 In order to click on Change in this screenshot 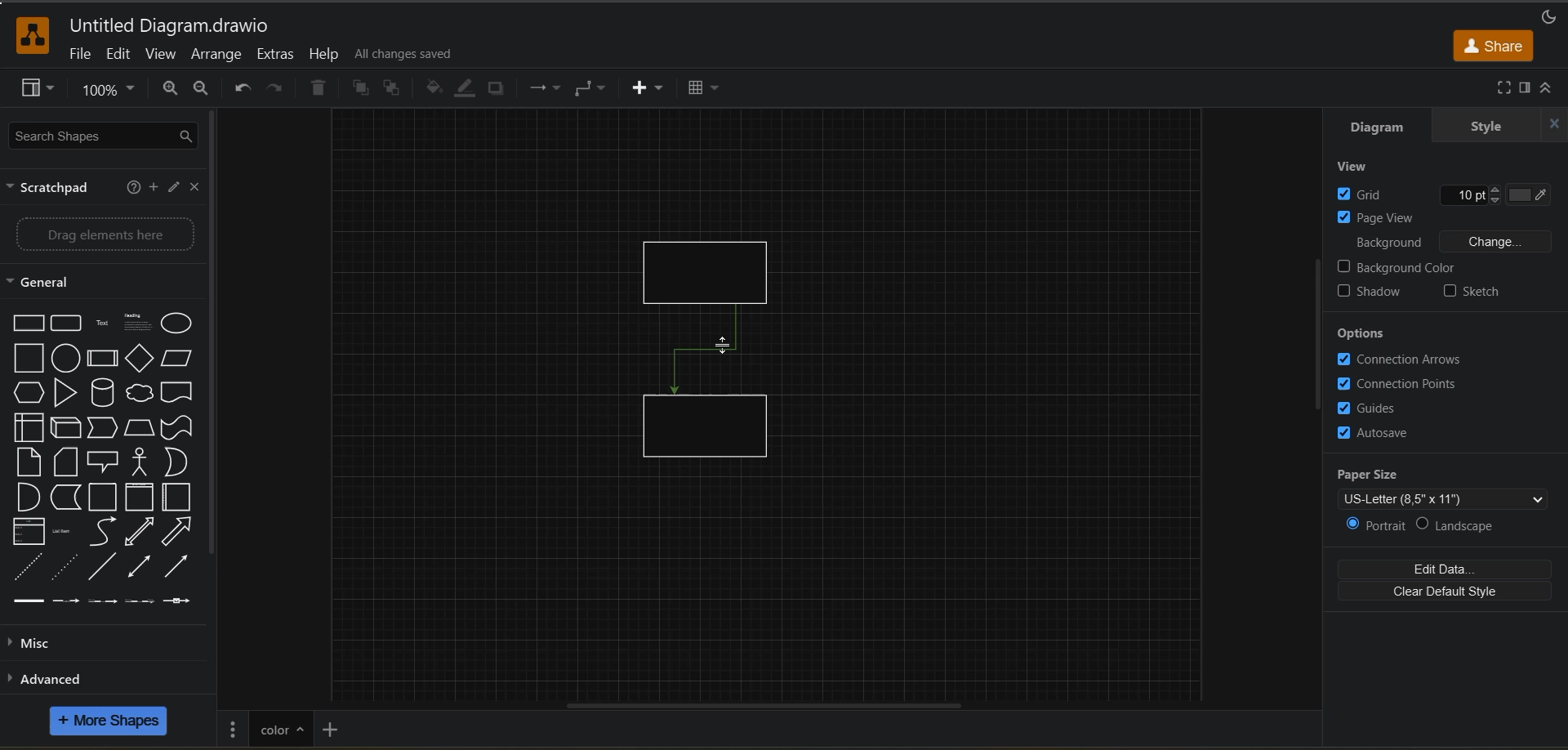, I will do `click(1495, 241)`.